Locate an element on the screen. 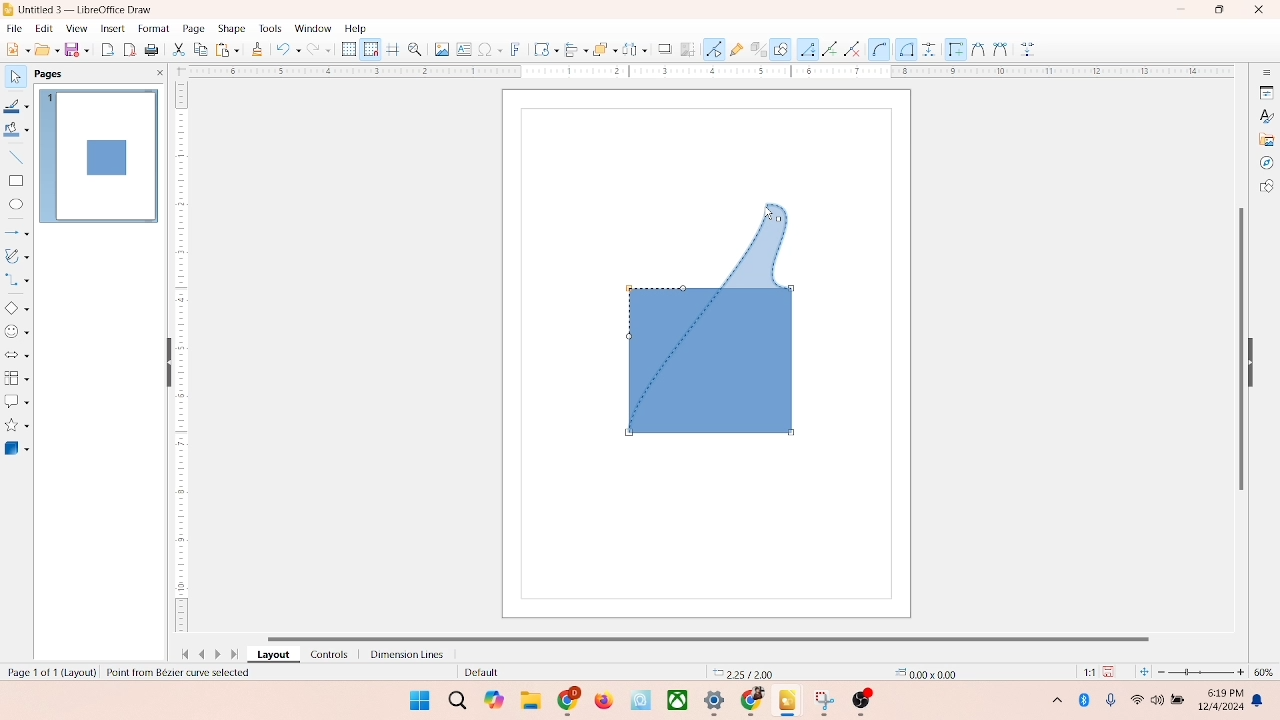  hidden icons is located at coordinates (1047, 703).